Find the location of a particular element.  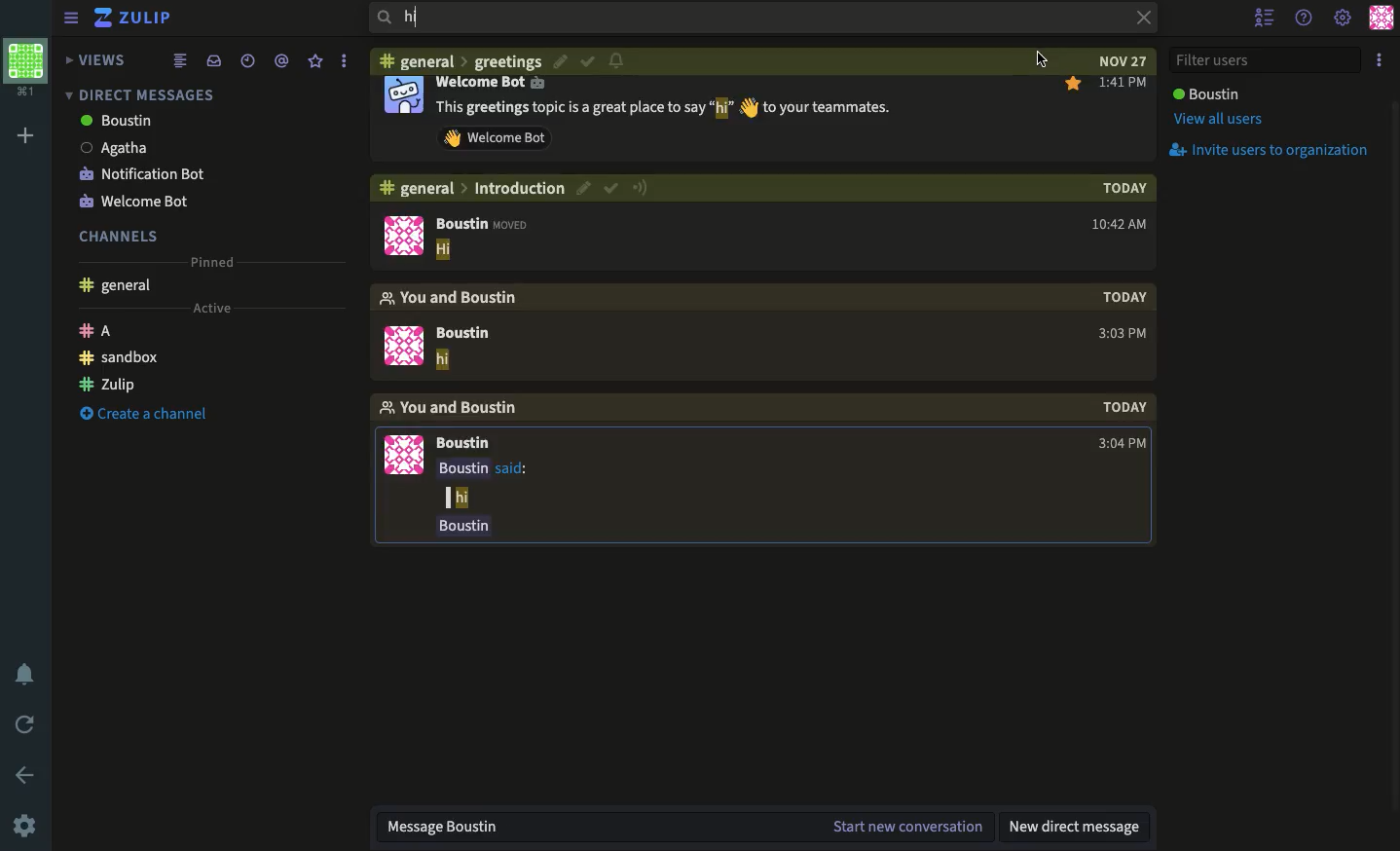

display picture is located at coordinates (402, 456).